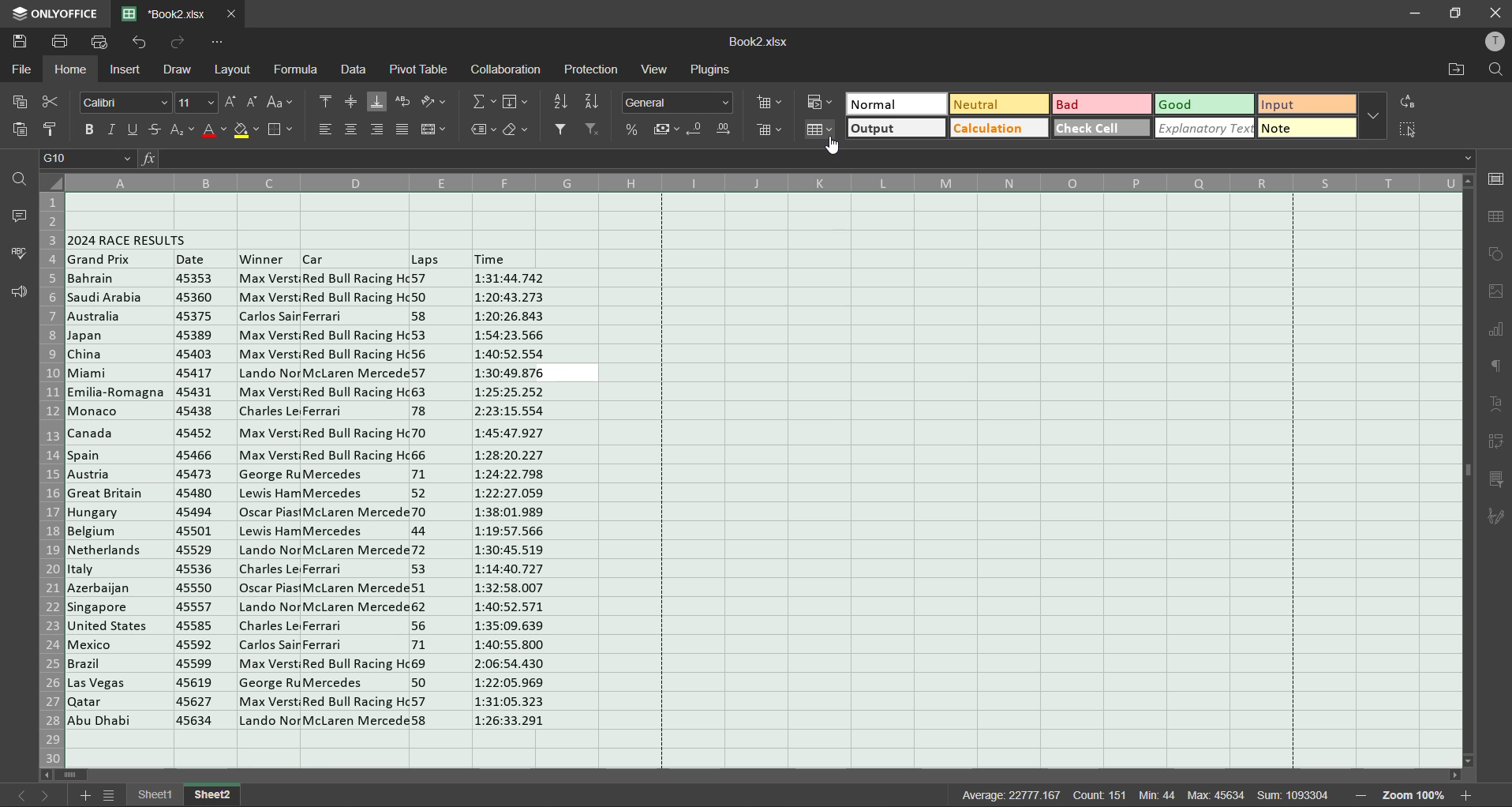 This screenshot has width=1512, height=807. I want to click on quick print, so click(103, 43).